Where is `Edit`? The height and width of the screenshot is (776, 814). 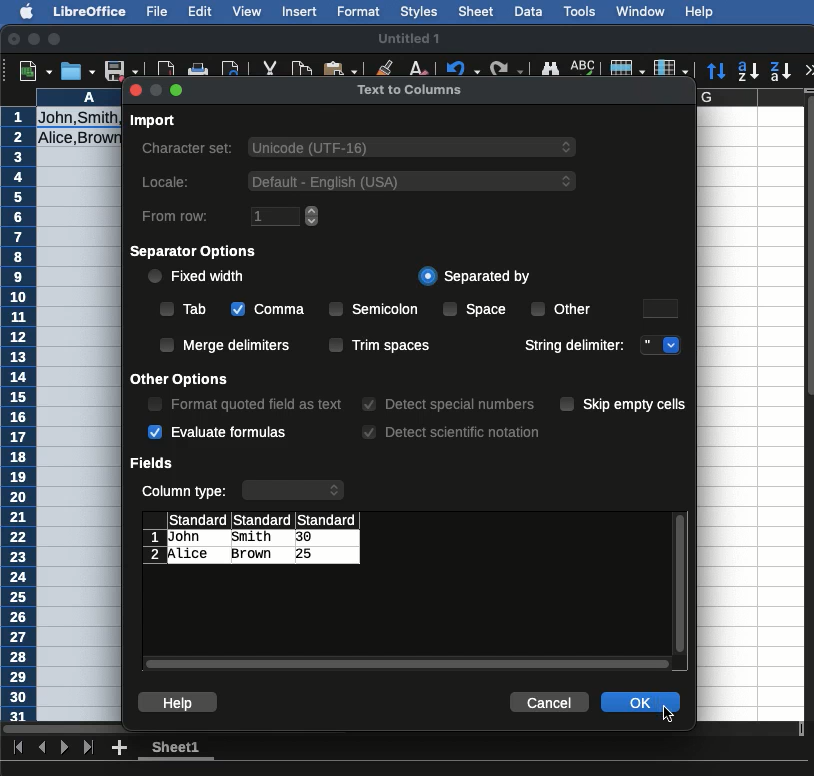
Edit is located at coordinates (200, 10).